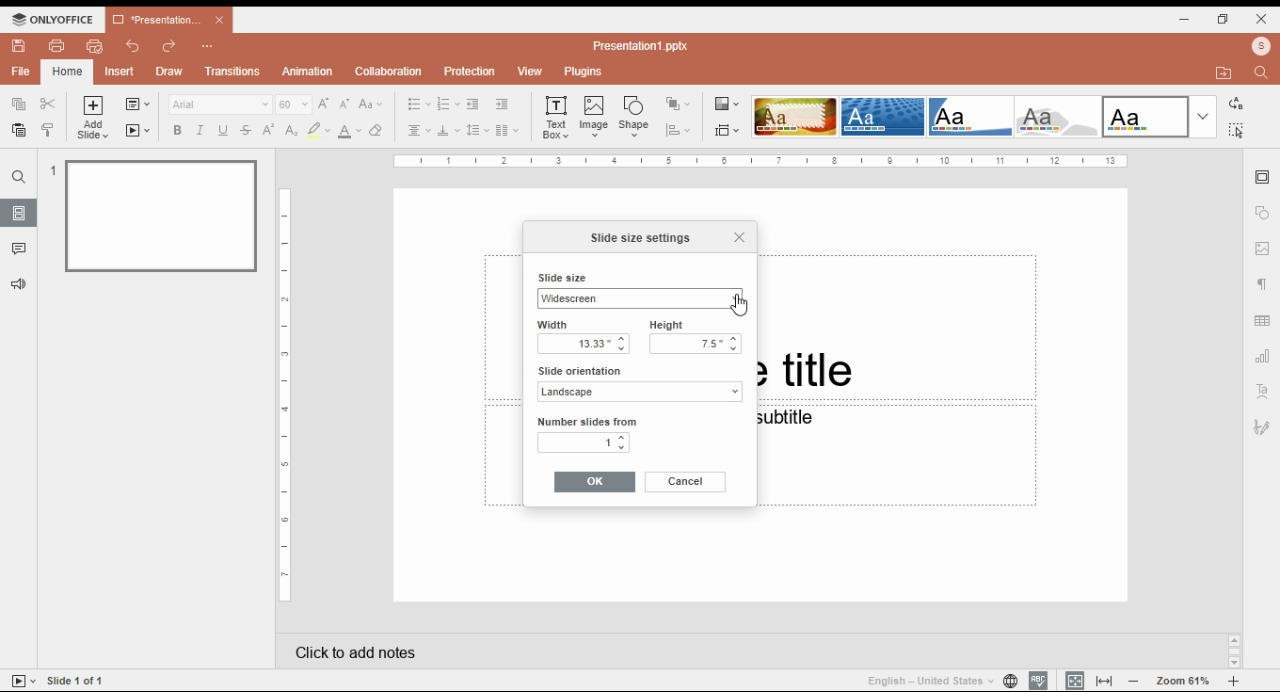 The height and width of the screenshot is (692, 1280). What do you see at coordinates (24, 681) in the screenshot?
I see `start slide show` at bounding box center [24, 681].